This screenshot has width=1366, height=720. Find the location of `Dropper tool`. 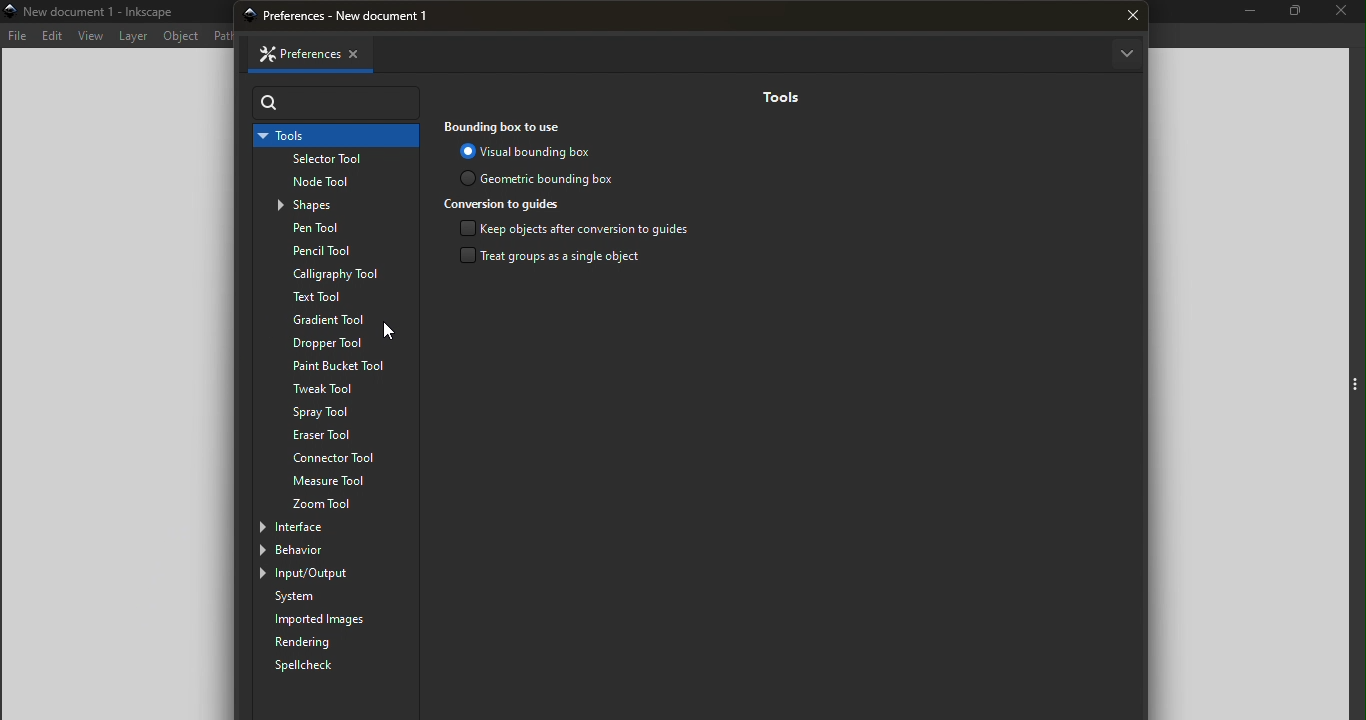

Dropper tool is located at coordinates (337, 342).